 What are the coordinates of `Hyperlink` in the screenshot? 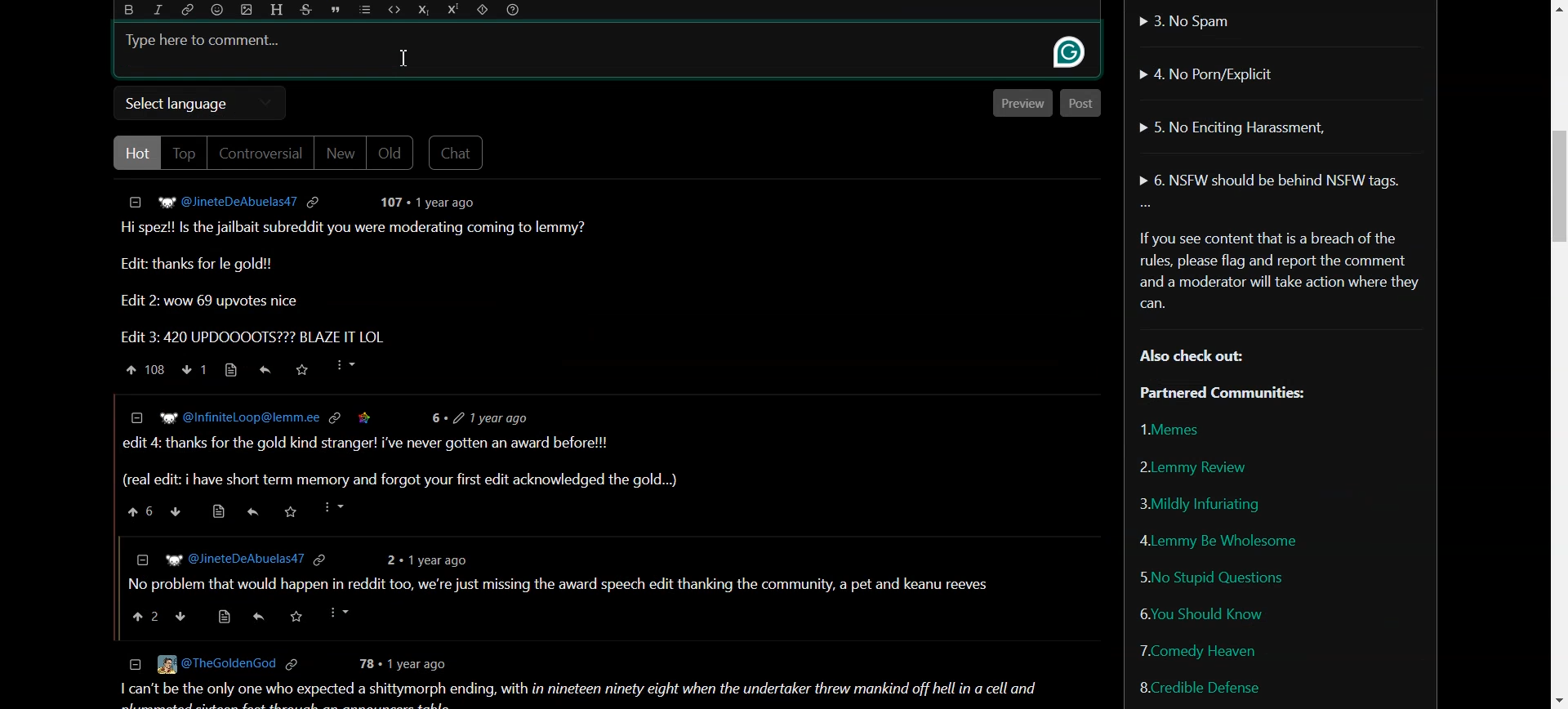 It's located at (189, 10).